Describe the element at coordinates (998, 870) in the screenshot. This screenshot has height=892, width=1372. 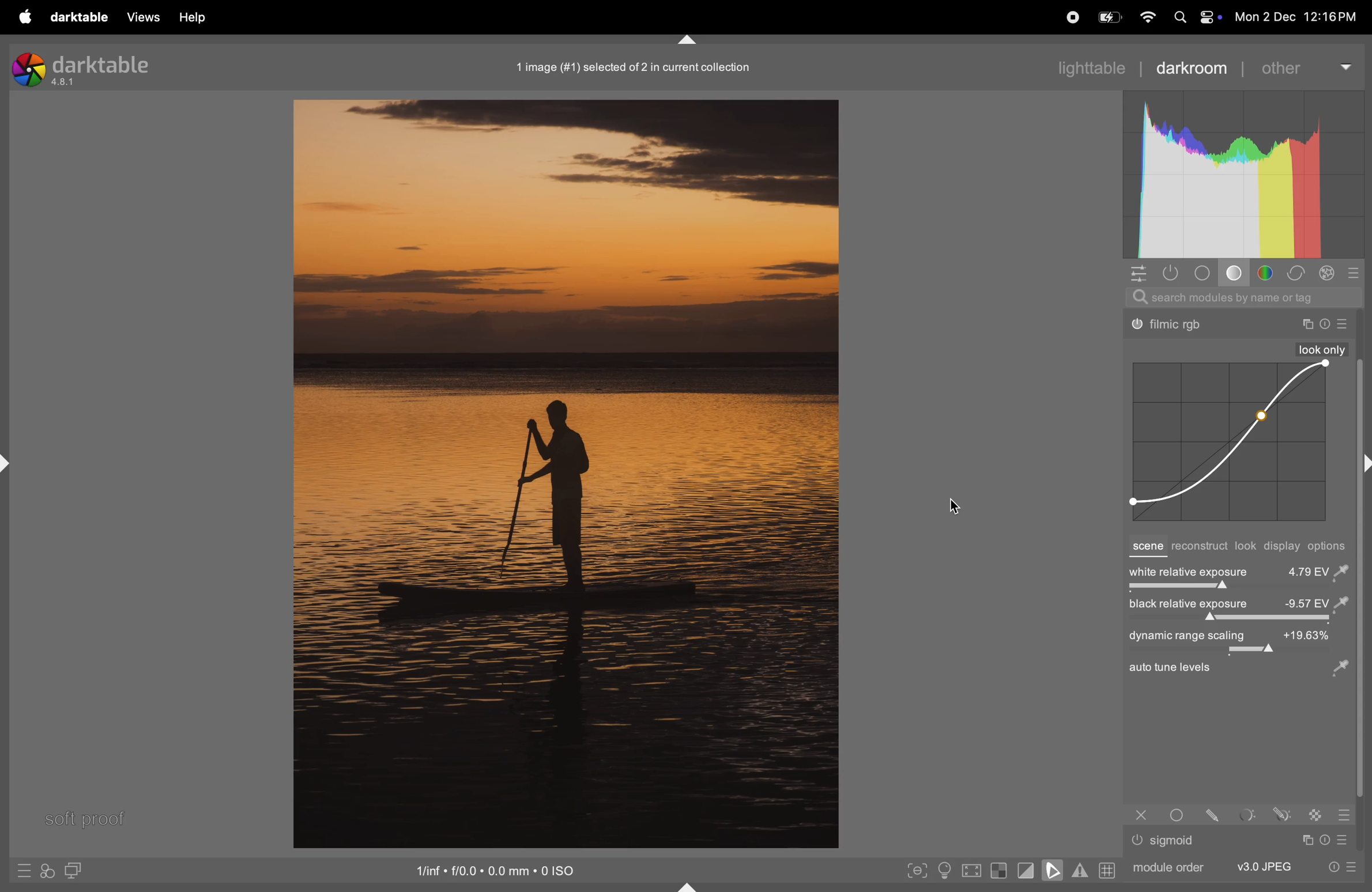
I see `toggle indications of raw exposure` at that location.